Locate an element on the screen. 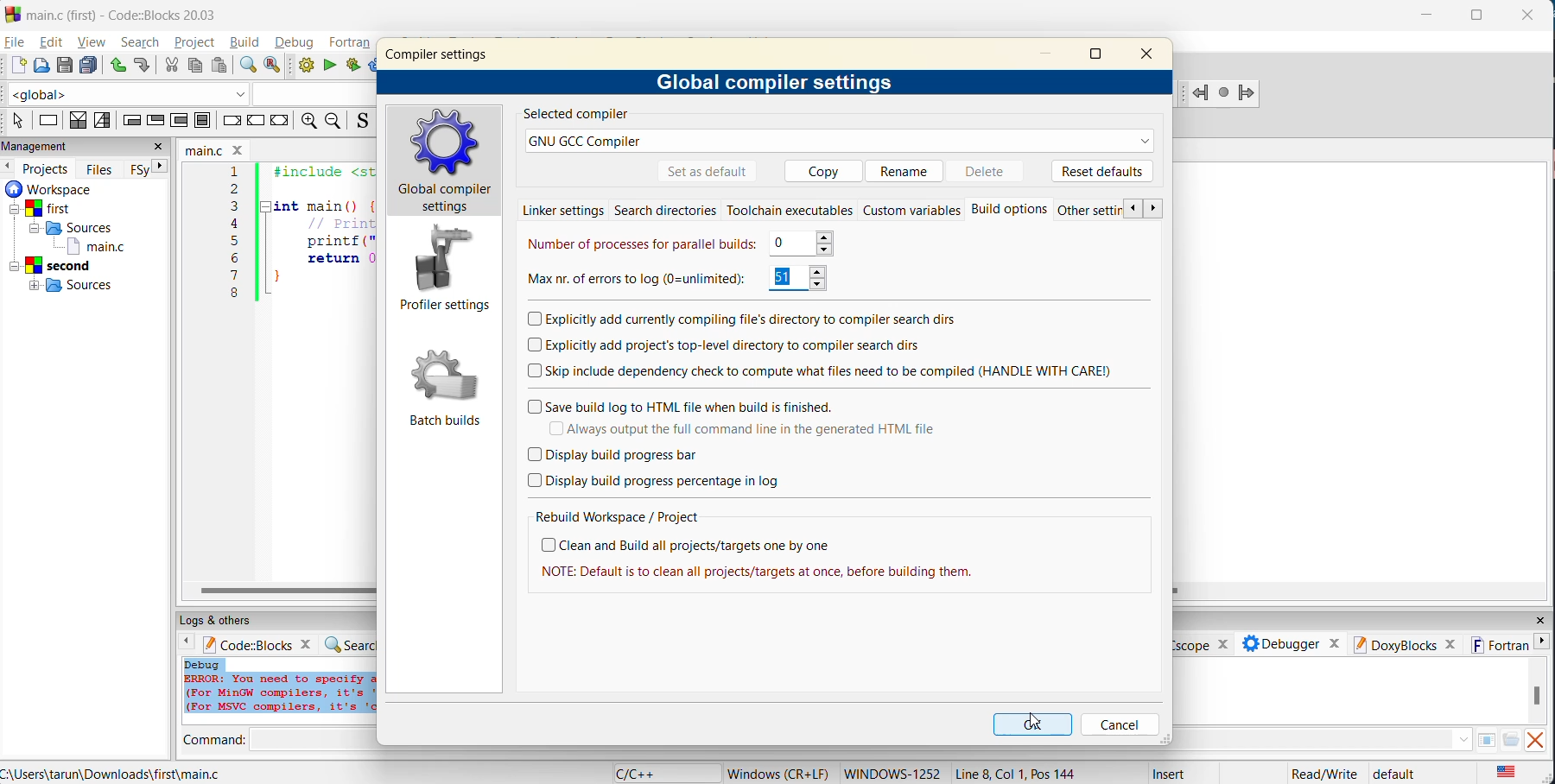 Image resolution: width=1555 pixels, height=784 pixels. Windows (CR+LF) is located at coordinates (777, 773).